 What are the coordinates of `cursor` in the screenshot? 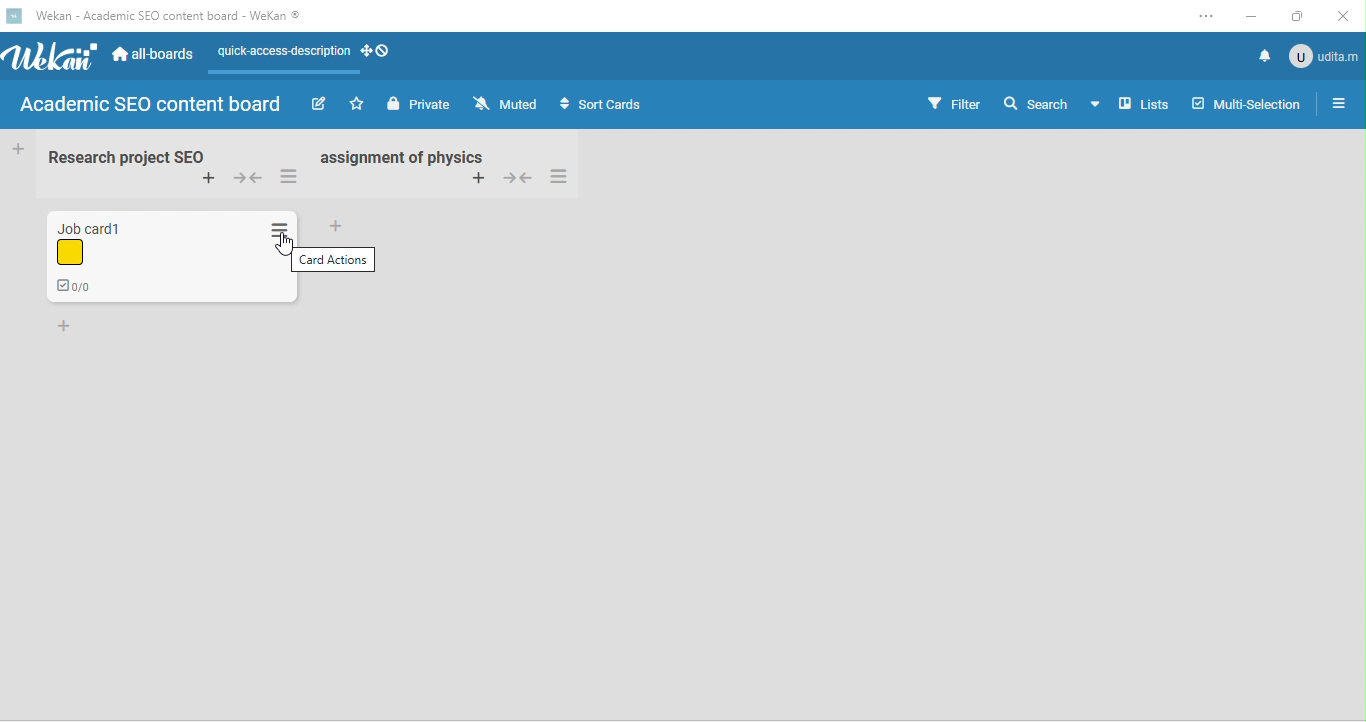 It's located at (281, 247).